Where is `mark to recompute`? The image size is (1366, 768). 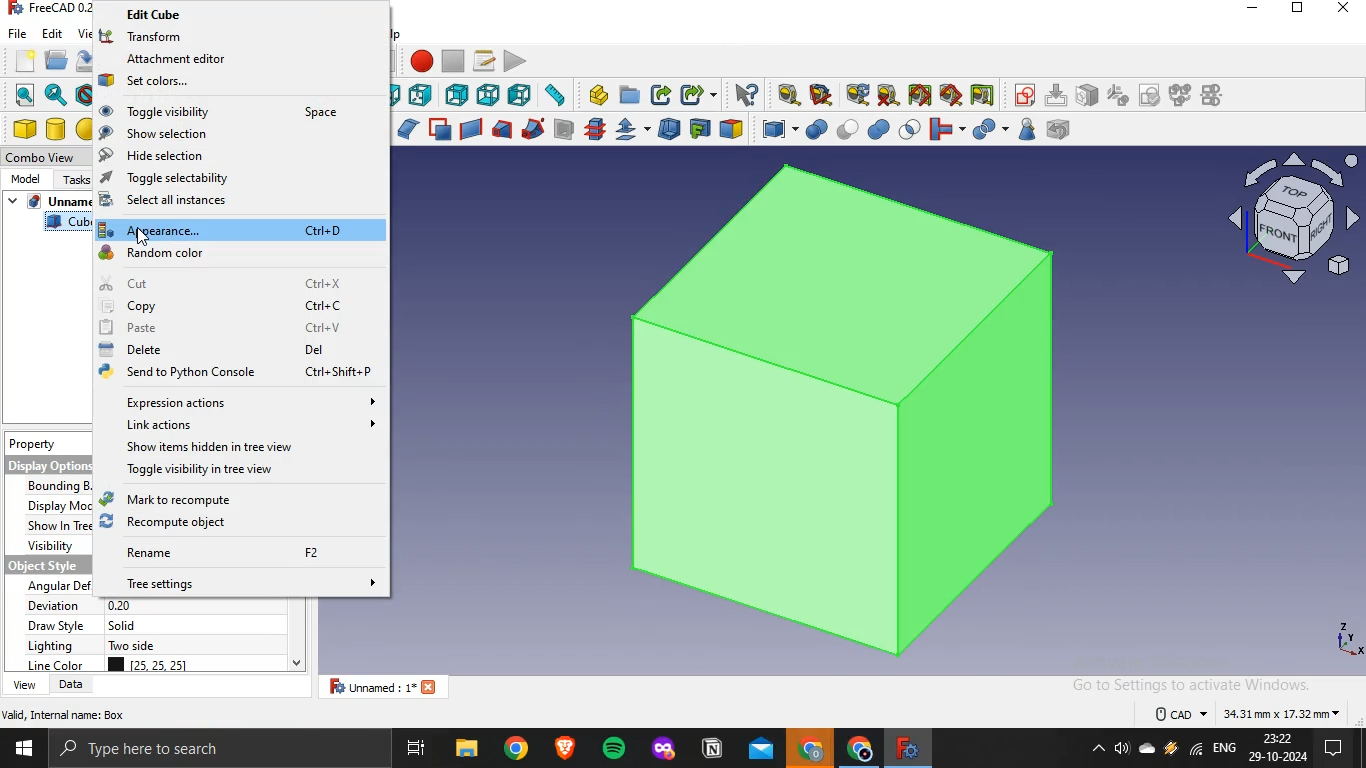
mark to recompute is located at coordinates (231, 499).